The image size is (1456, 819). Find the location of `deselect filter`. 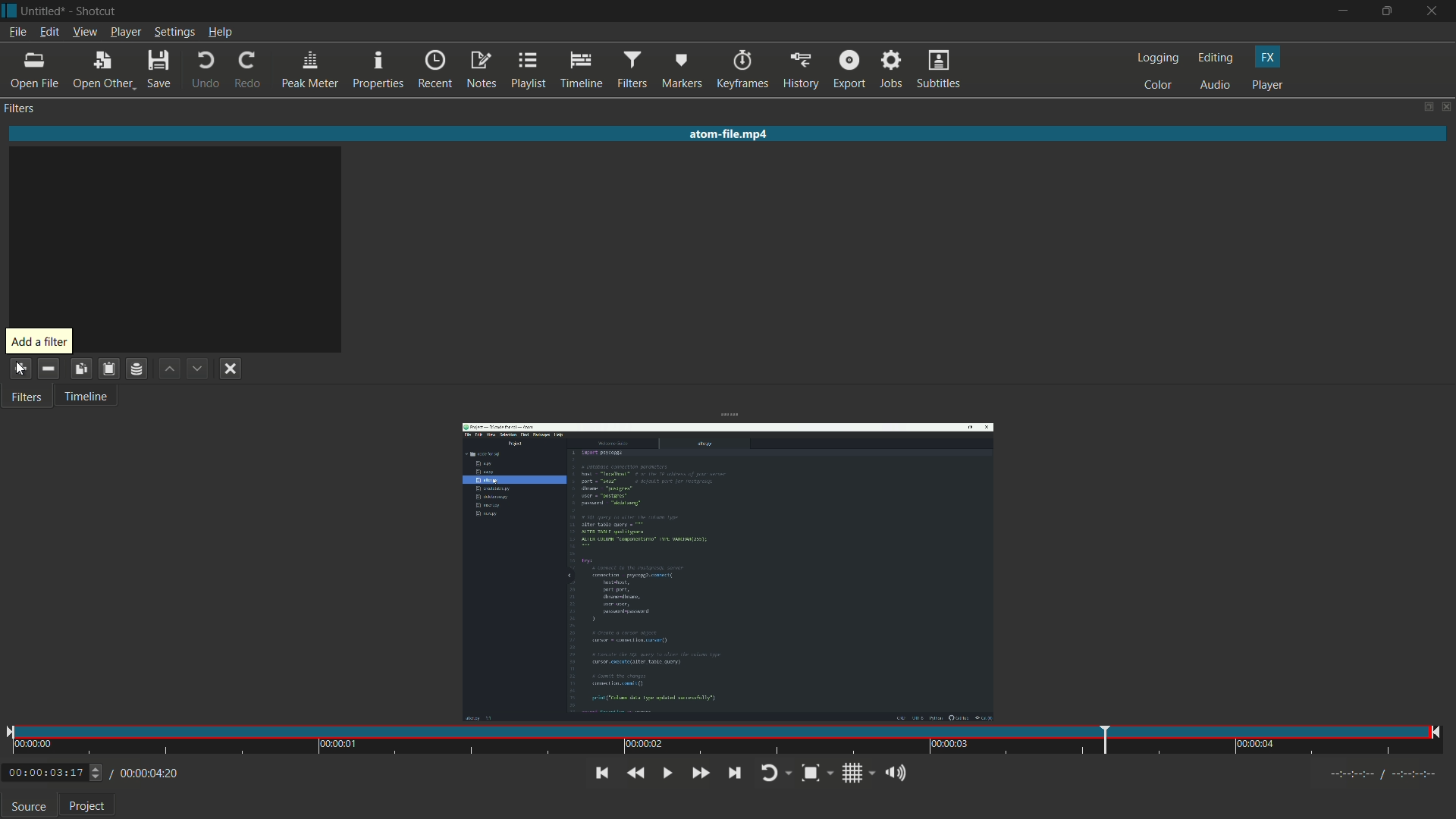

deselect filter is located at coordinates (231, 370).